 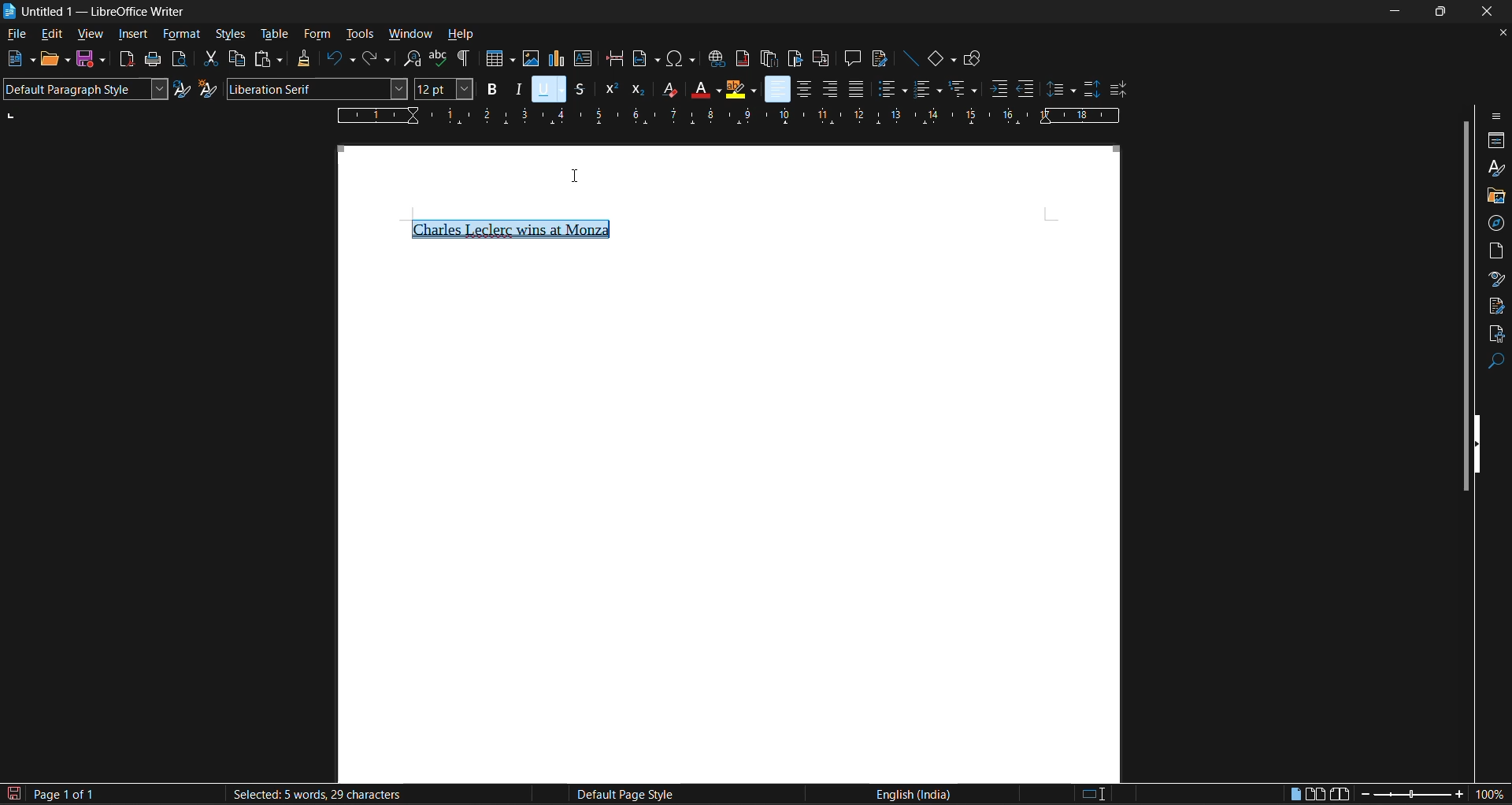 What do you see at coordinates (556, 59) in the screenshot?
I see `insert chart` at bounding box center [556, 59].